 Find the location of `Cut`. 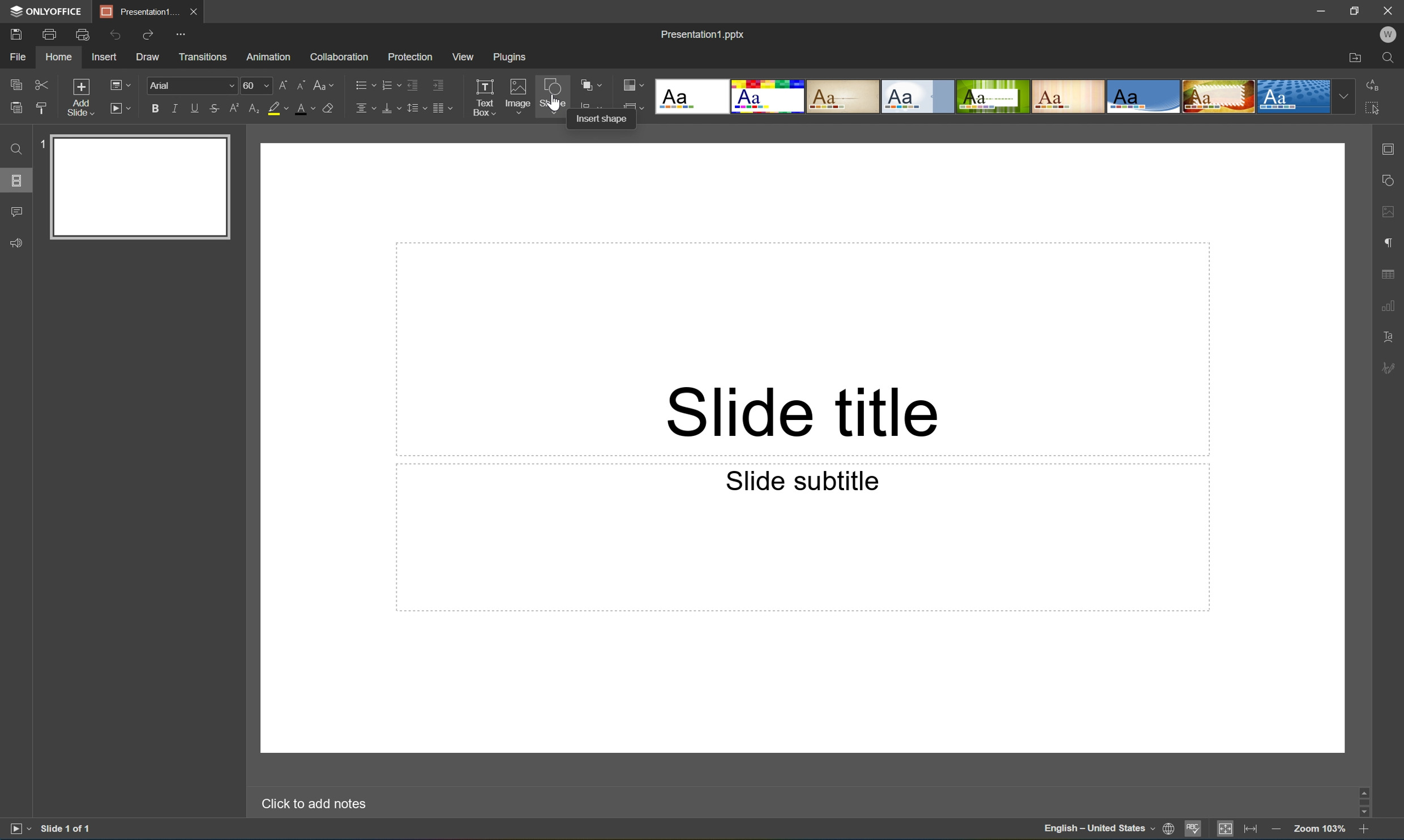

Cut is located at coordinates (40, 83).